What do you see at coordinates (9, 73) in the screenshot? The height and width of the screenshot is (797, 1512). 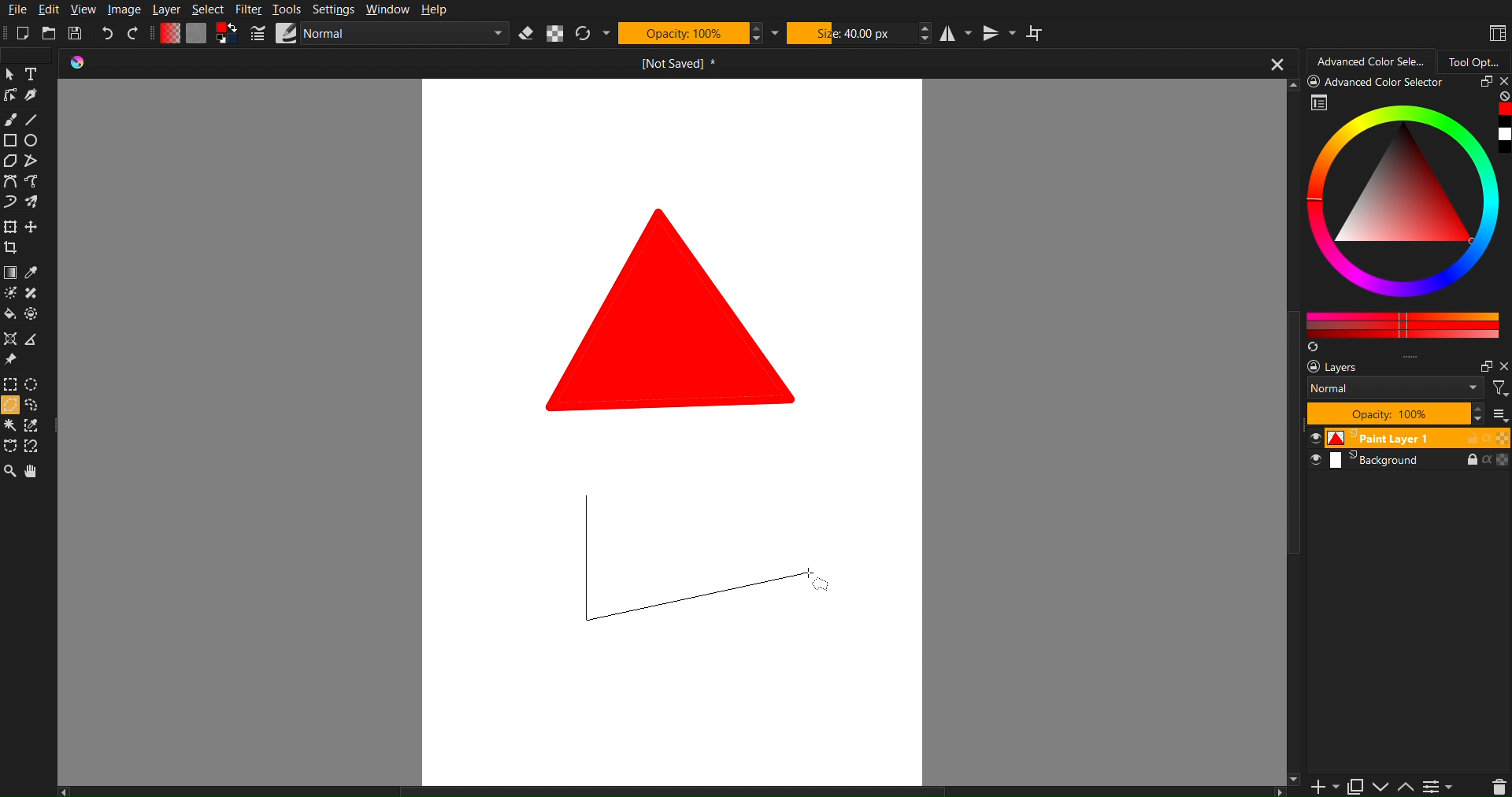 I see `Pointer` at bounding box center [9, 73].